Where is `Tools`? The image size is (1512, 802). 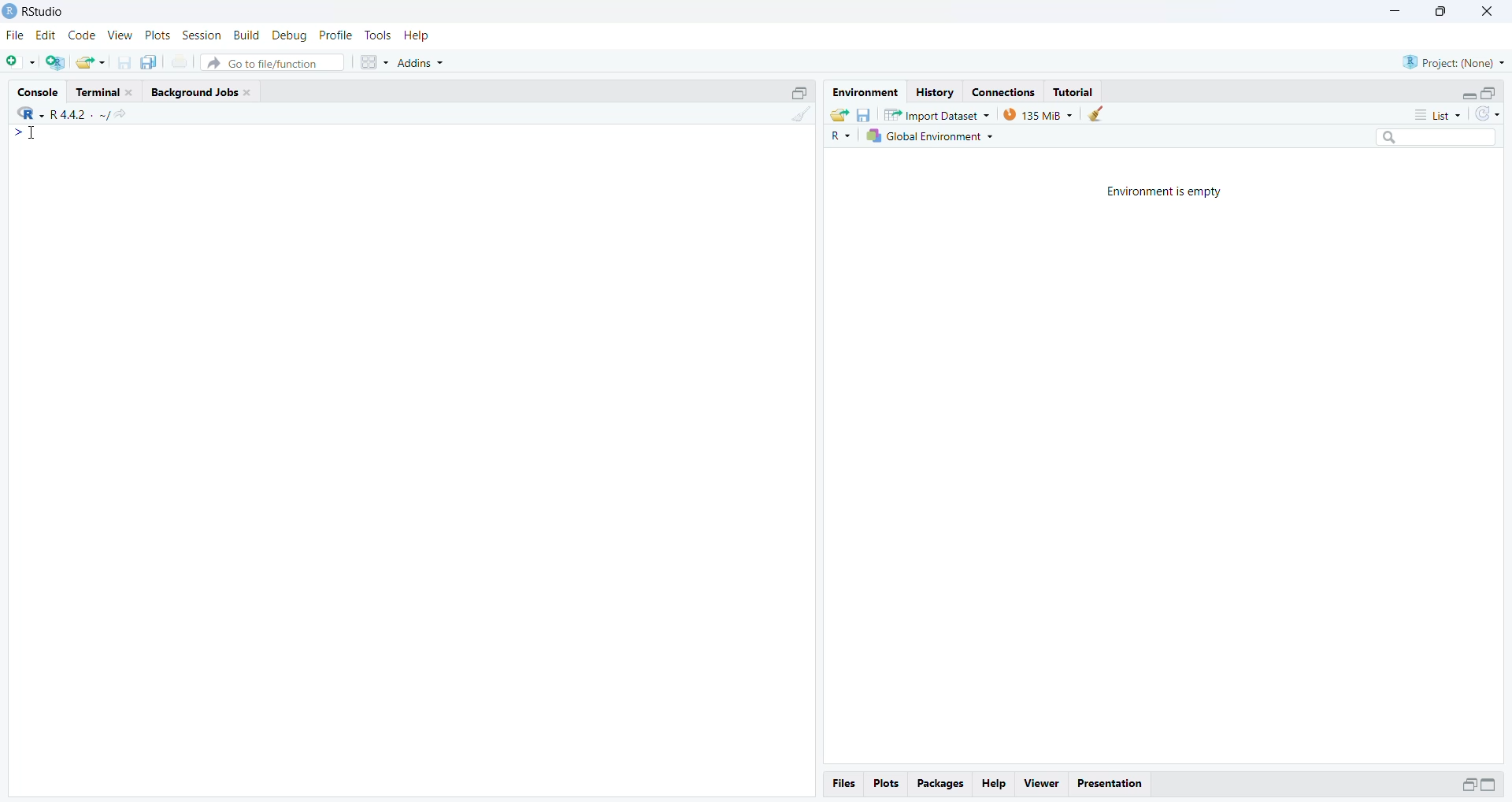
Tools is located at coordinates (378, 35).